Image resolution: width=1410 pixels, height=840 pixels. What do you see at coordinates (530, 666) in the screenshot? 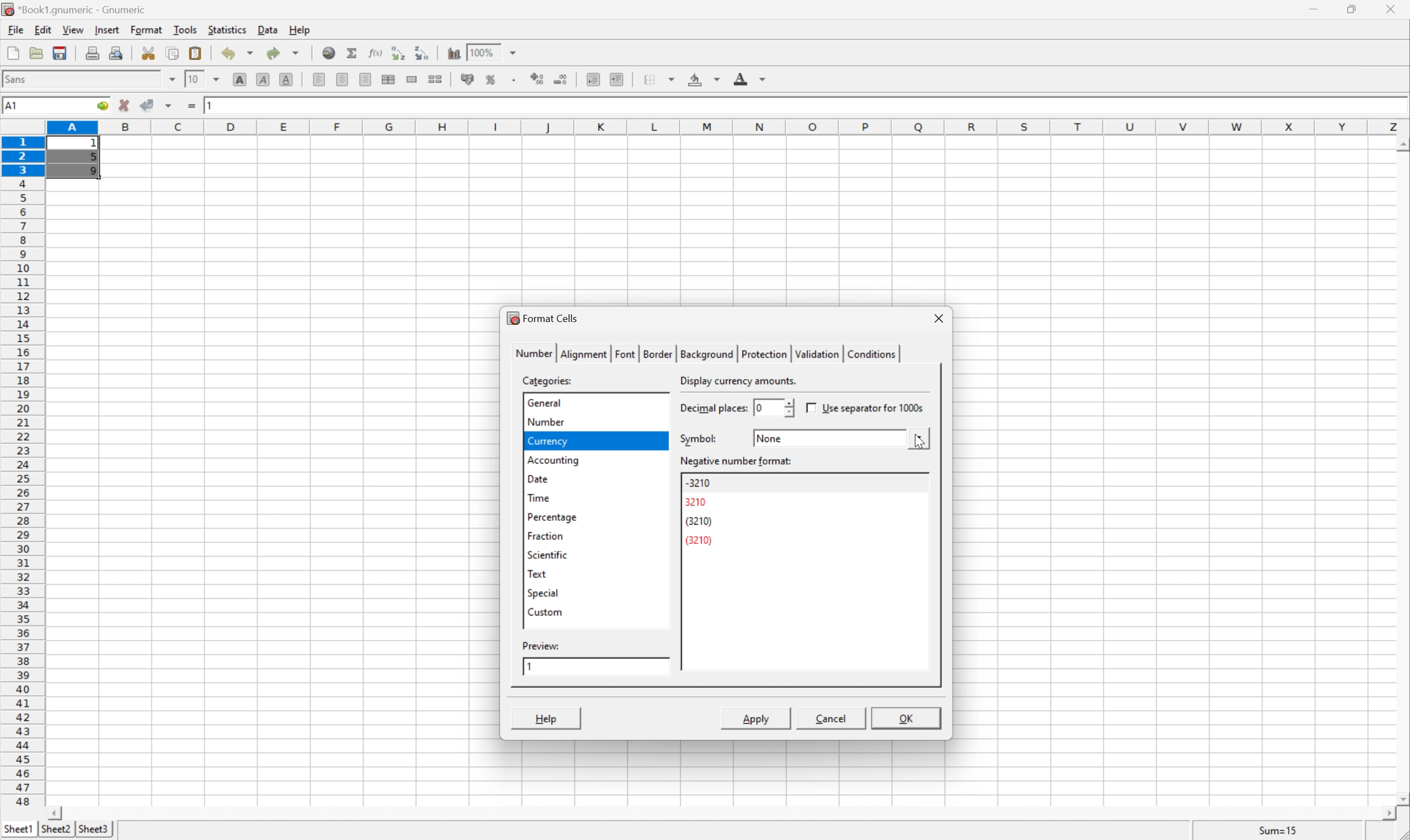
I see `1` at bounding box center [530, 666].